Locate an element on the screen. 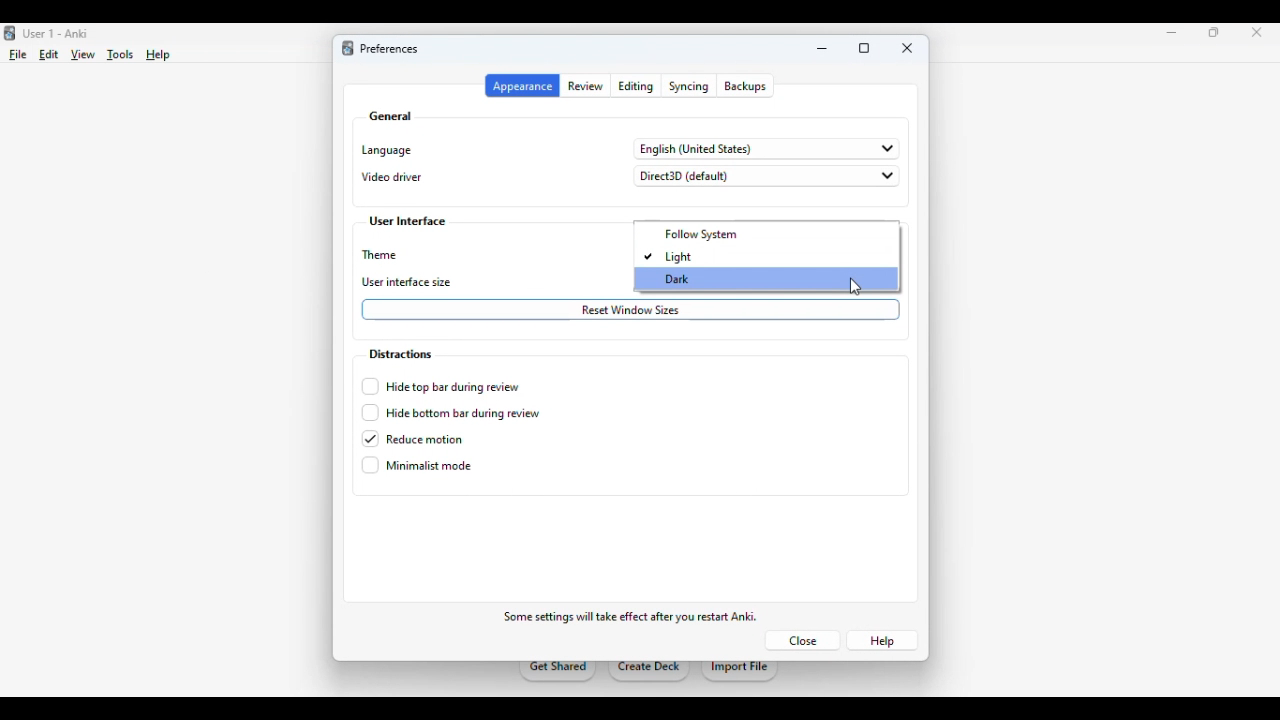 This screenshot has width=1280, height=720. close is located at coordinates (1257, 32).